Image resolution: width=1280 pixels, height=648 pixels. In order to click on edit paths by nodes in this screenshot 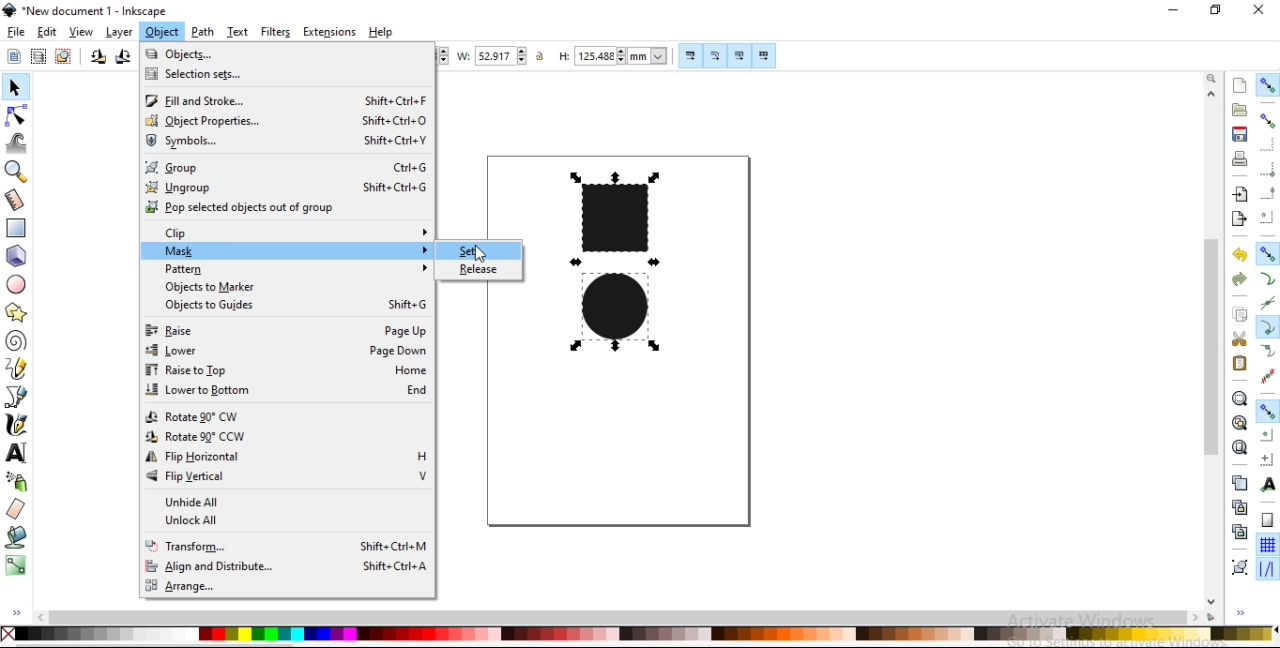, I will do `click(19, 116)`.